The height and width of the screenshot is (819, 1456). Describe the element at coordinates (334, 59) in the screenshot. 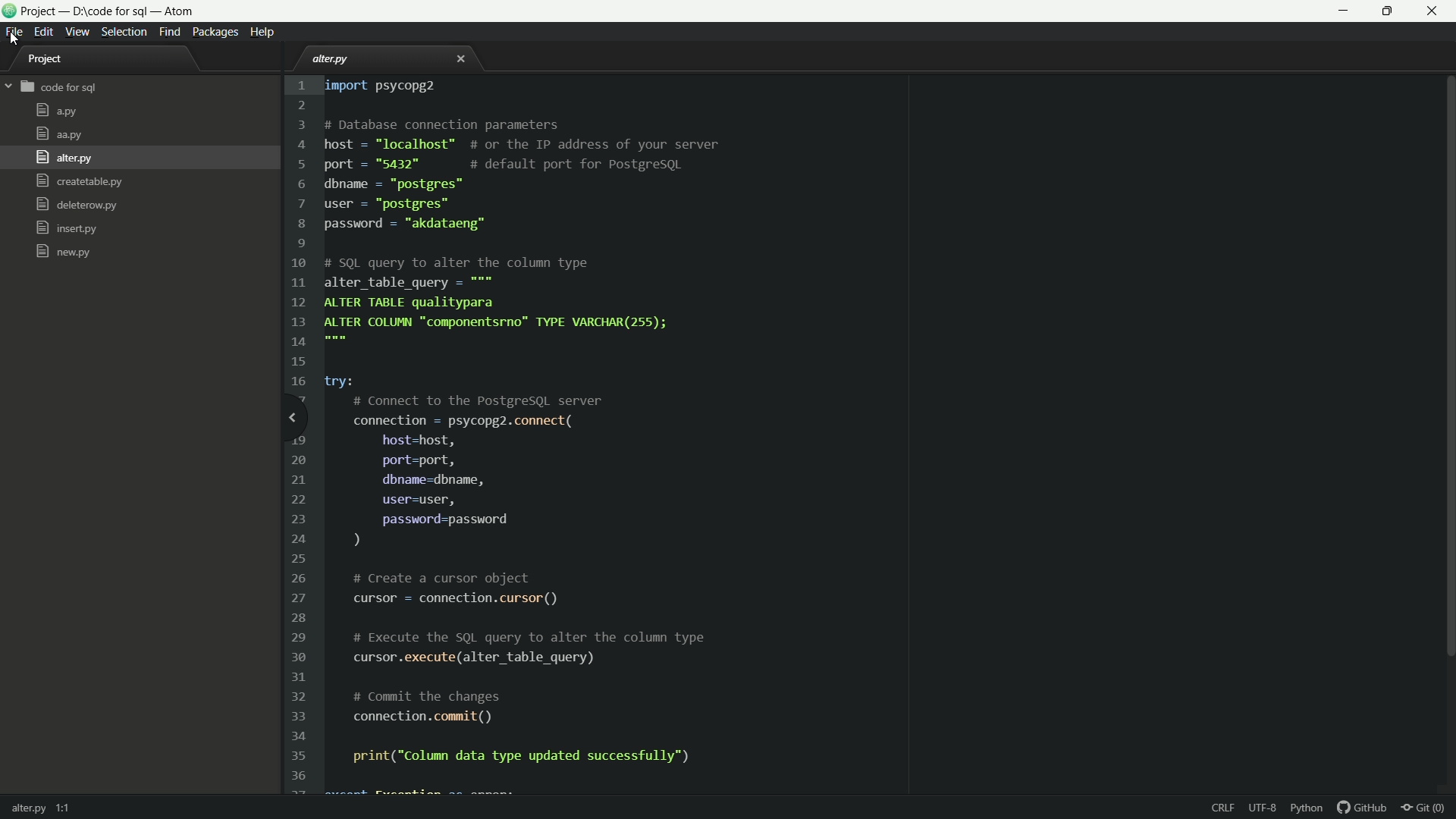

I see `alter.py file` at that location.